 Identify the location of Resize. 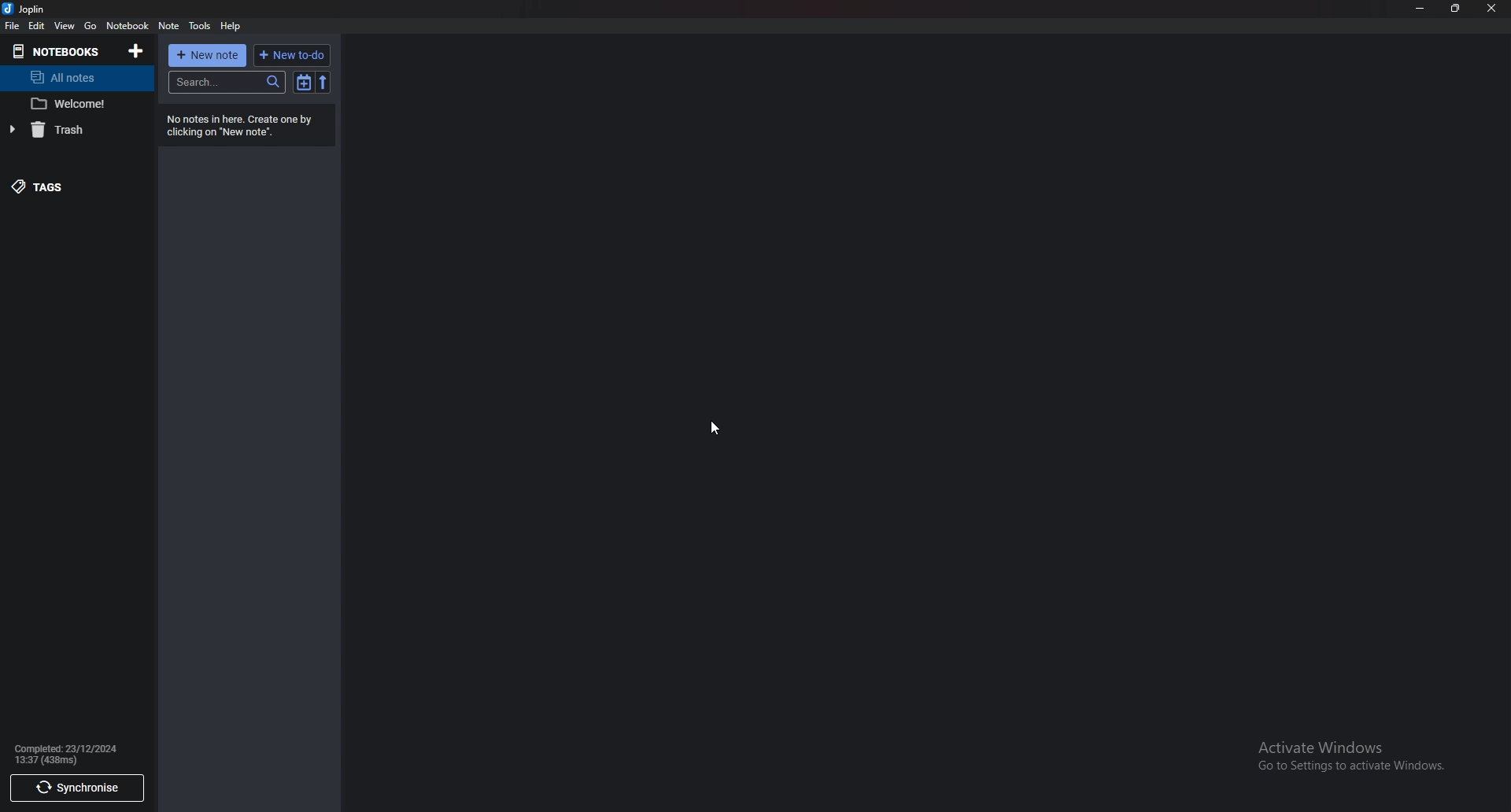
(1453, 9).